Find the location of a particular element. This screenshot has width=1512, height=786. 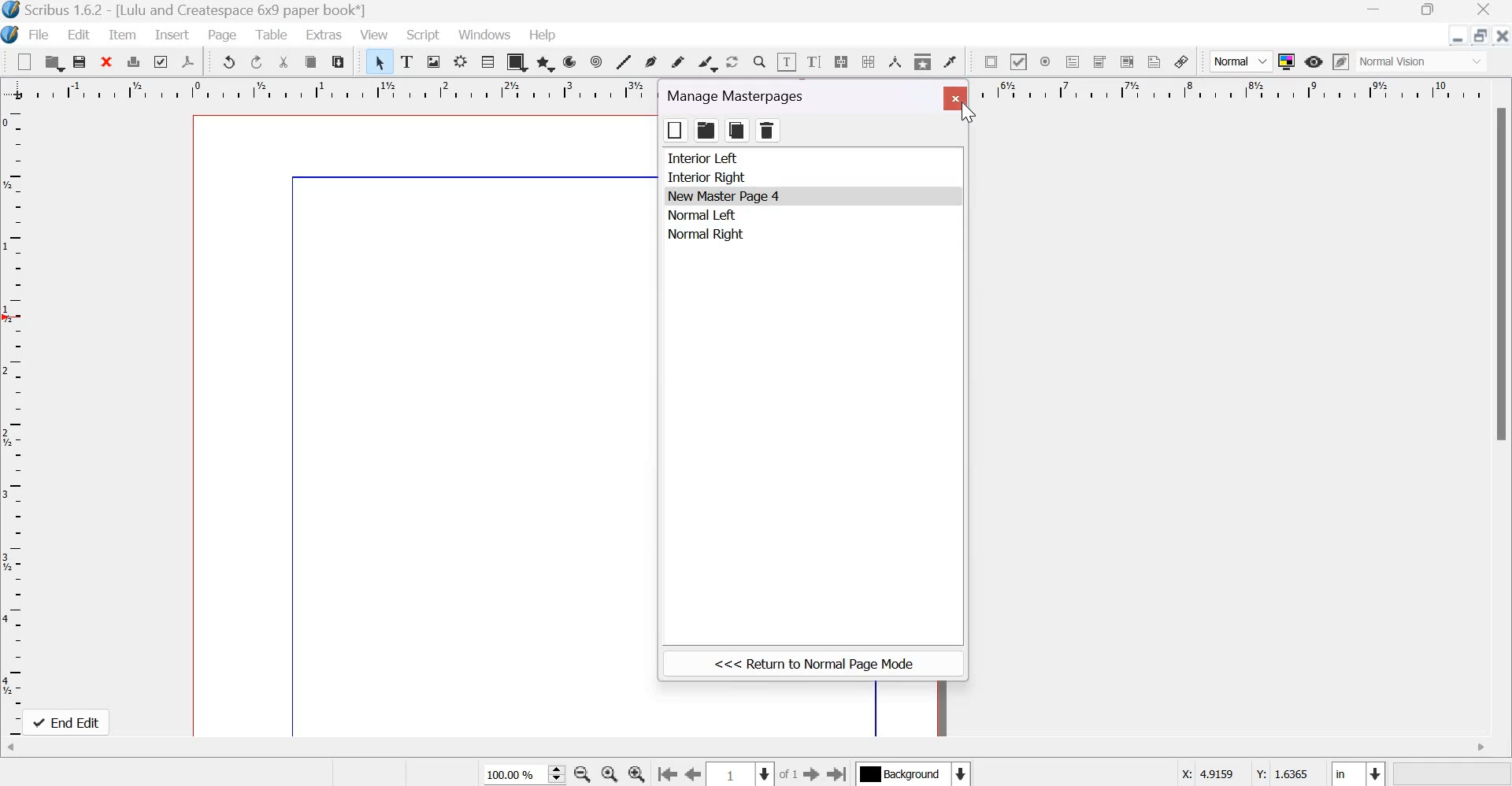

of 1 is located at coordinates (789, 774).